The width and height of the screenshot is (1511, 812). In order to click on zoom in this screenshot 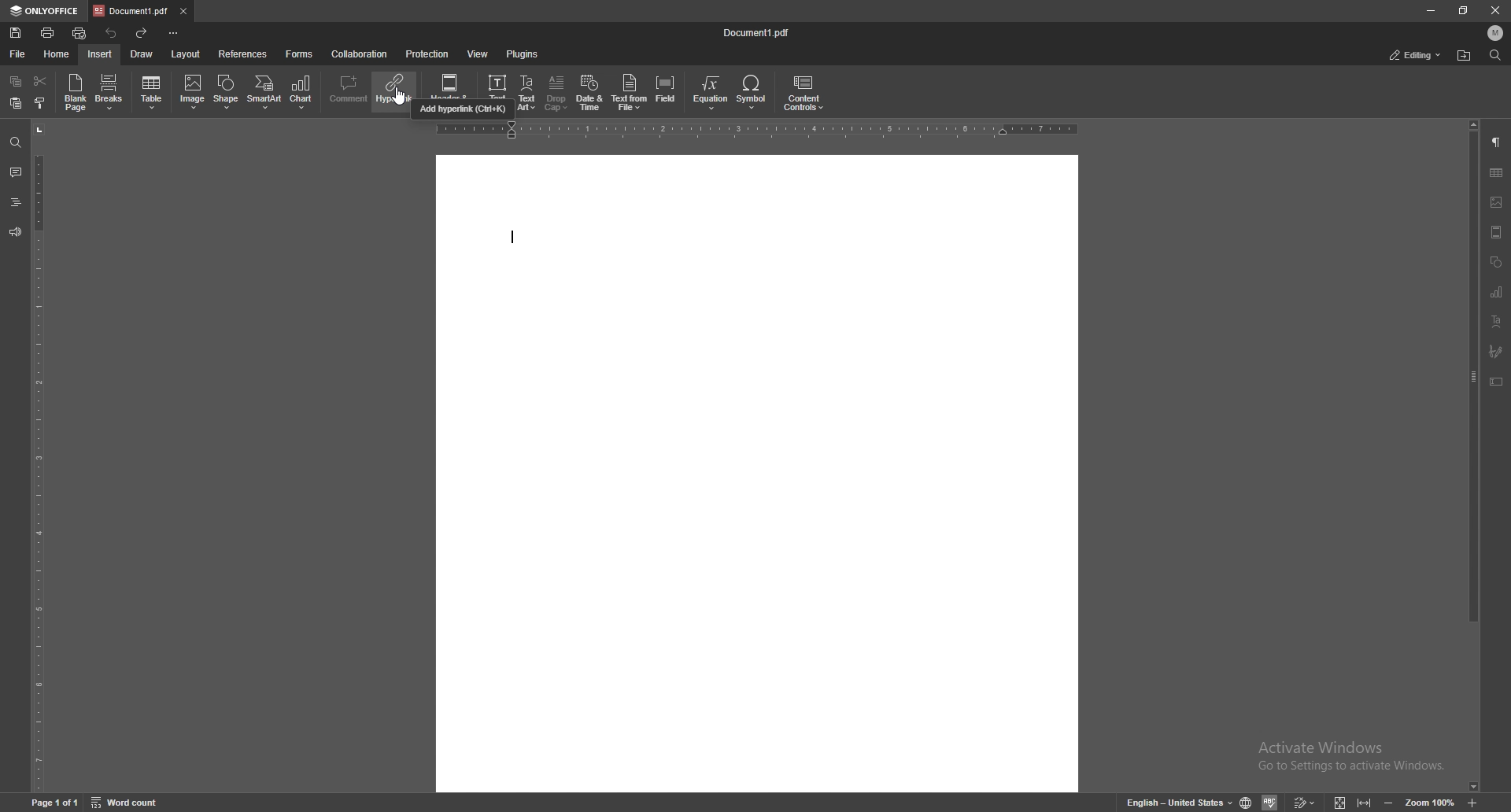, I will do `click(1430, 801)`.